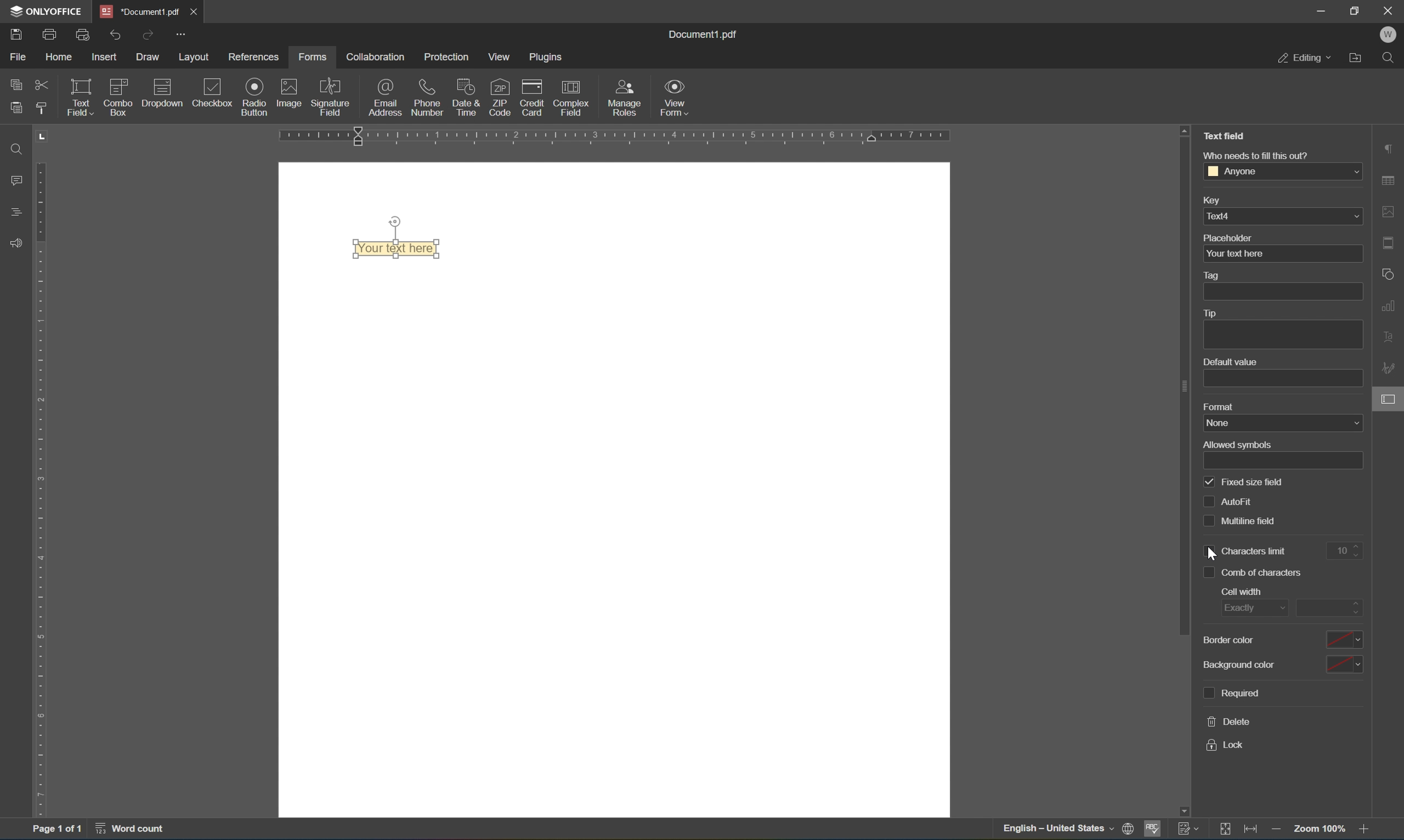  What do you see at coordinates (1356, 59) in the screenshot?
I see `open file location` at bounding box center [1356, 59].